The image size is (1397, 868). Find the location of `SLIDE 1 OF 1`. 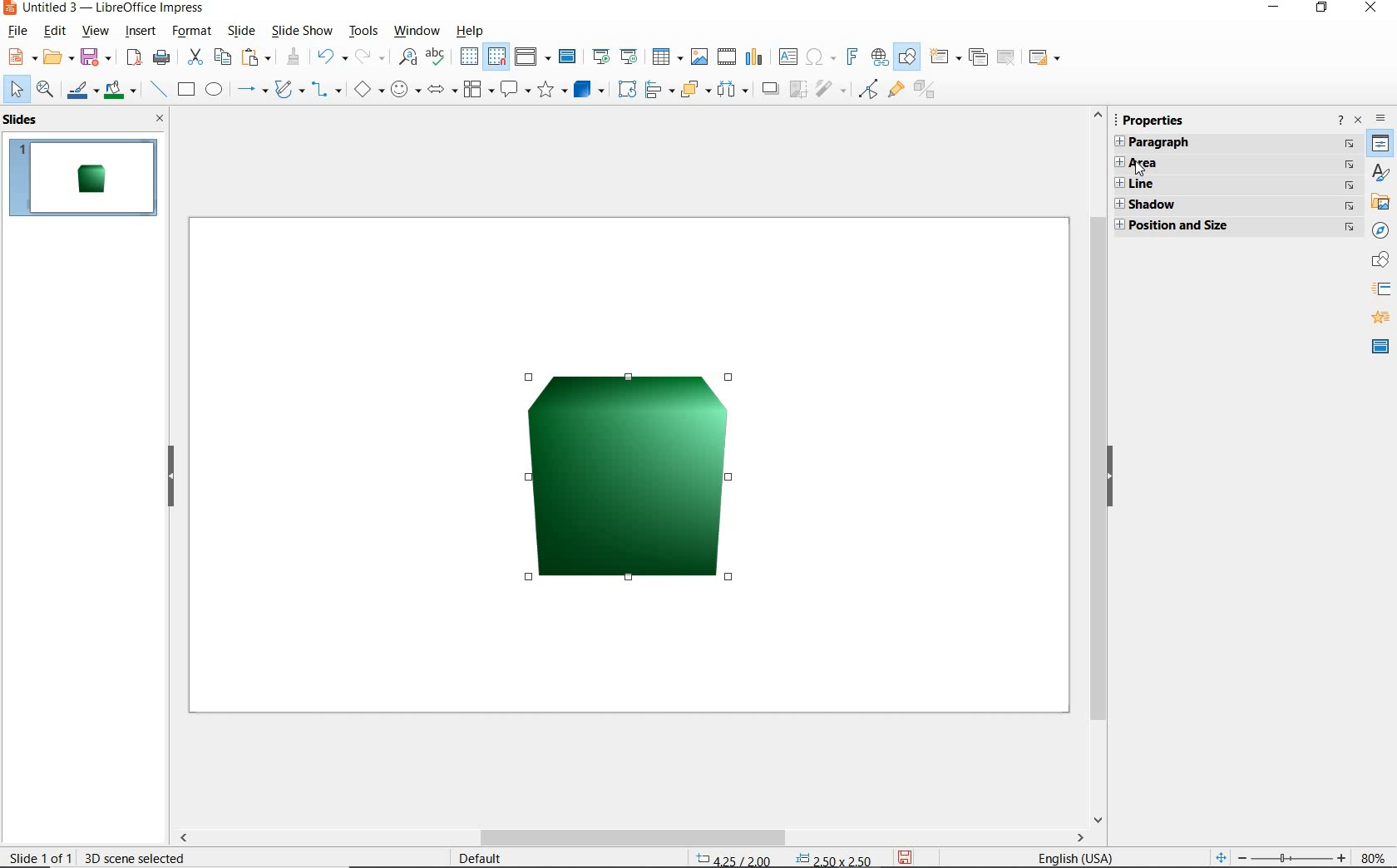

SLIDE 1 OF 1 is located at coordinates (42, 855).